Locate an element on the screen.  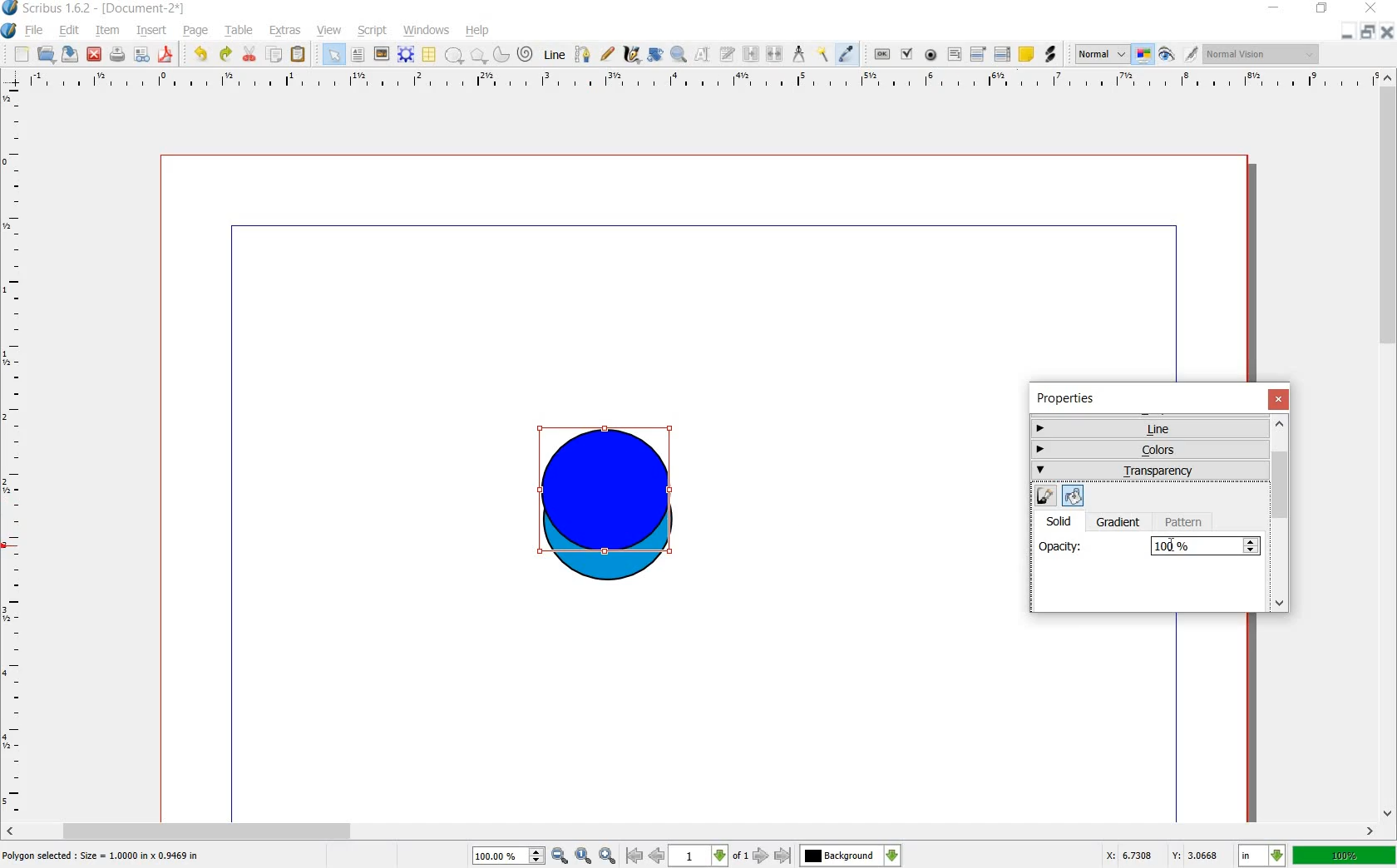
edit fill color properties is located at coordinates (1071, 495).